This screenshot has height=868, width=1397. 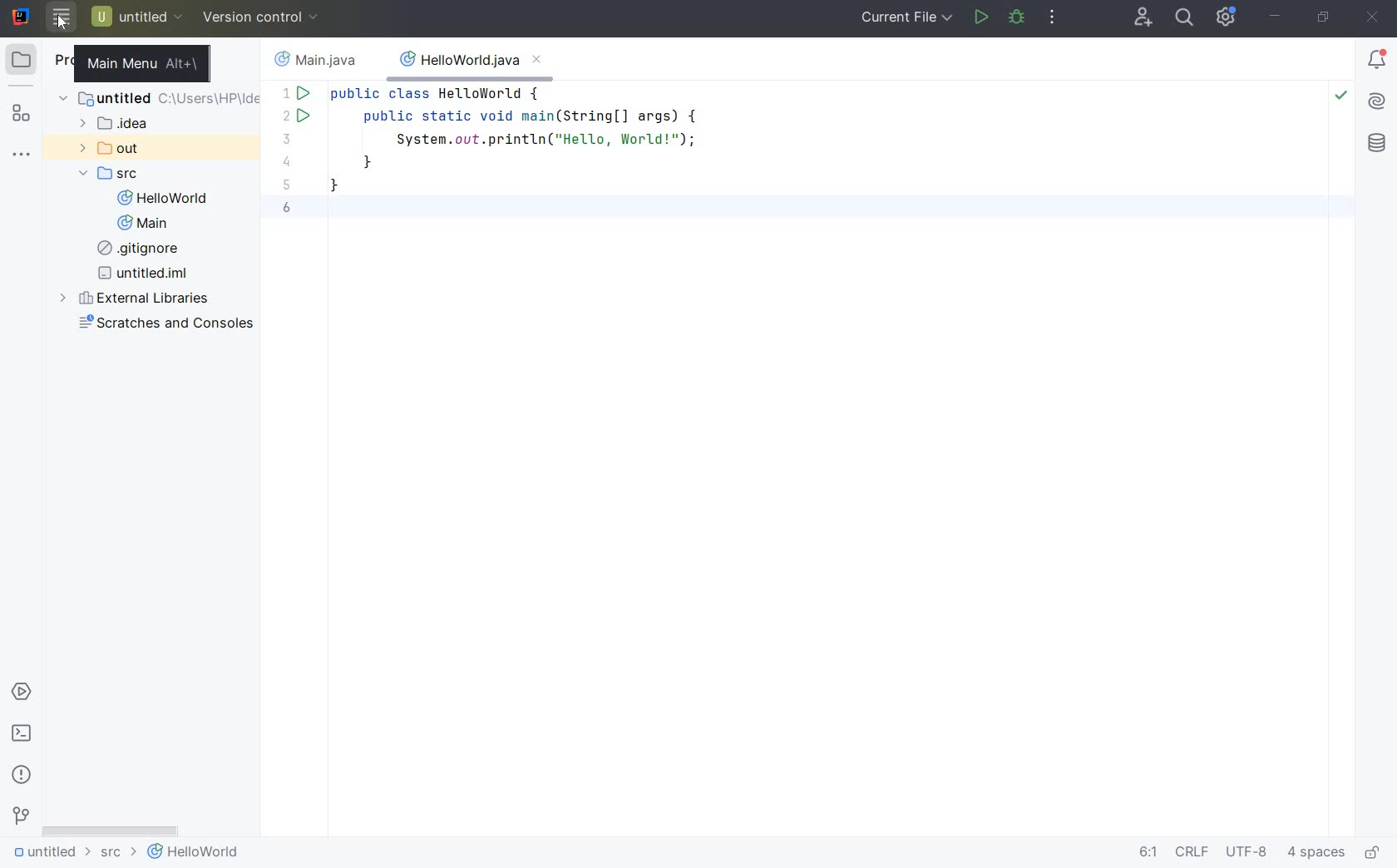 I want to click on run, so click(x=980, y=18).